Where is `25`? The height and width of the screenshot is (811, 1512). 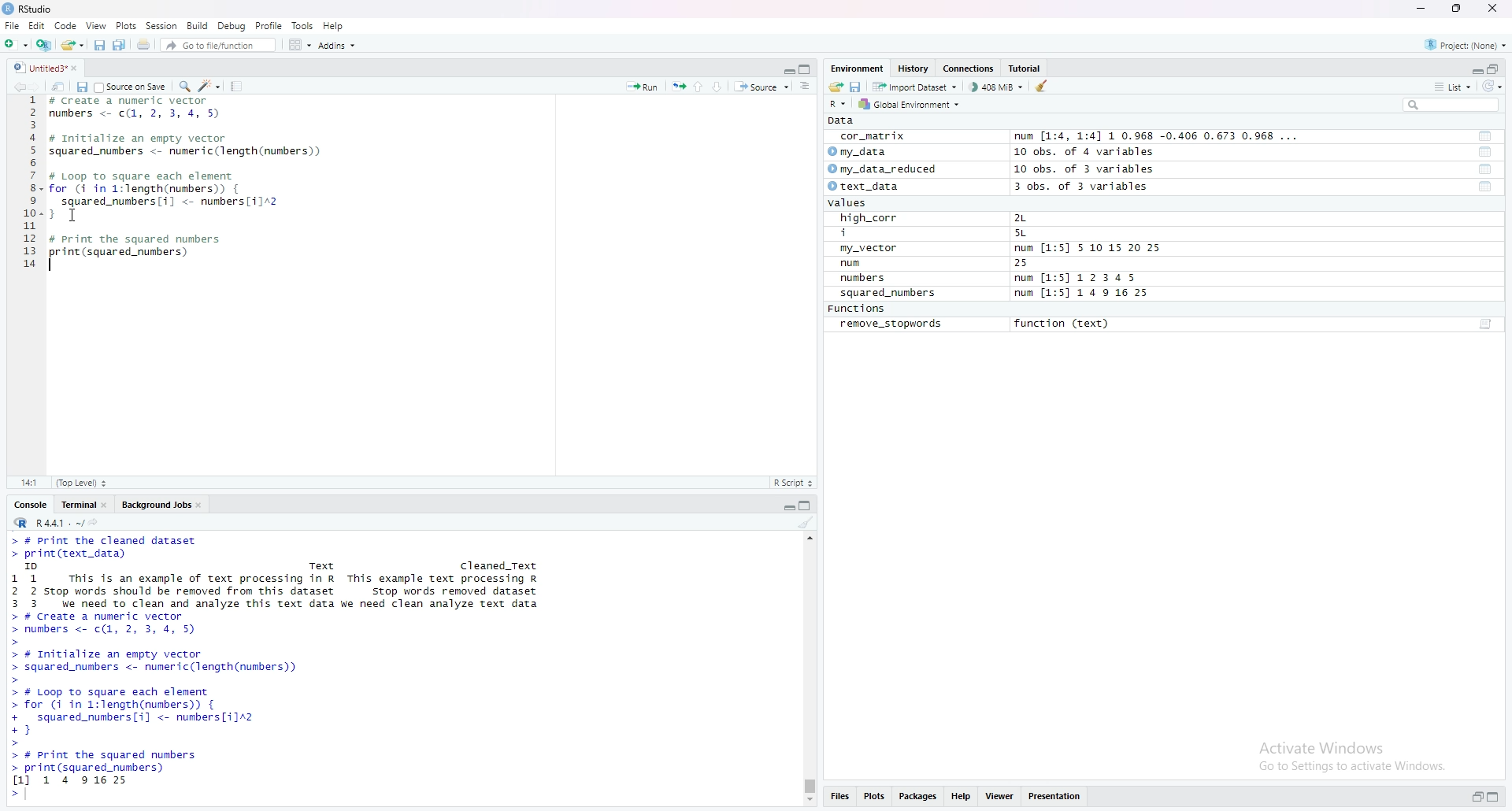
25 is located at coordinates (1037, 264).